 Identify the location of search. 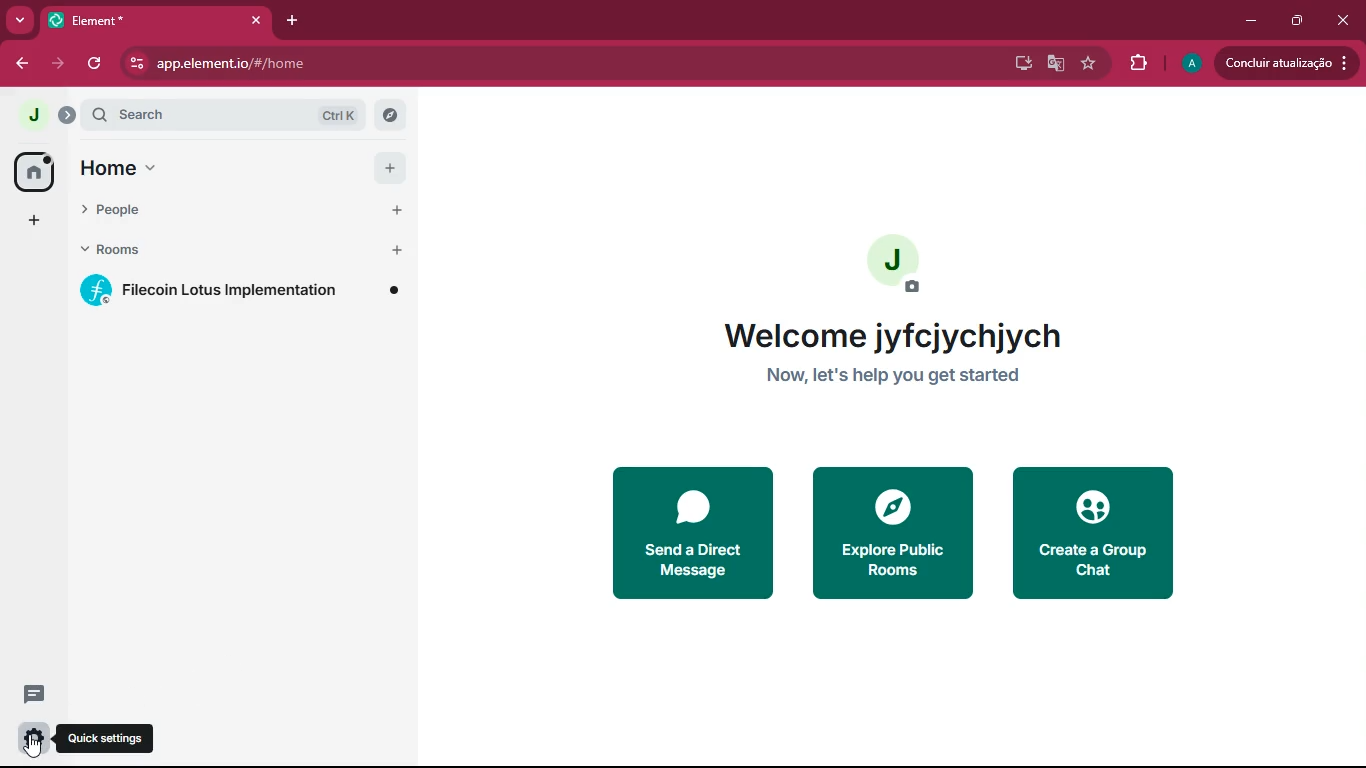
(225, 114).